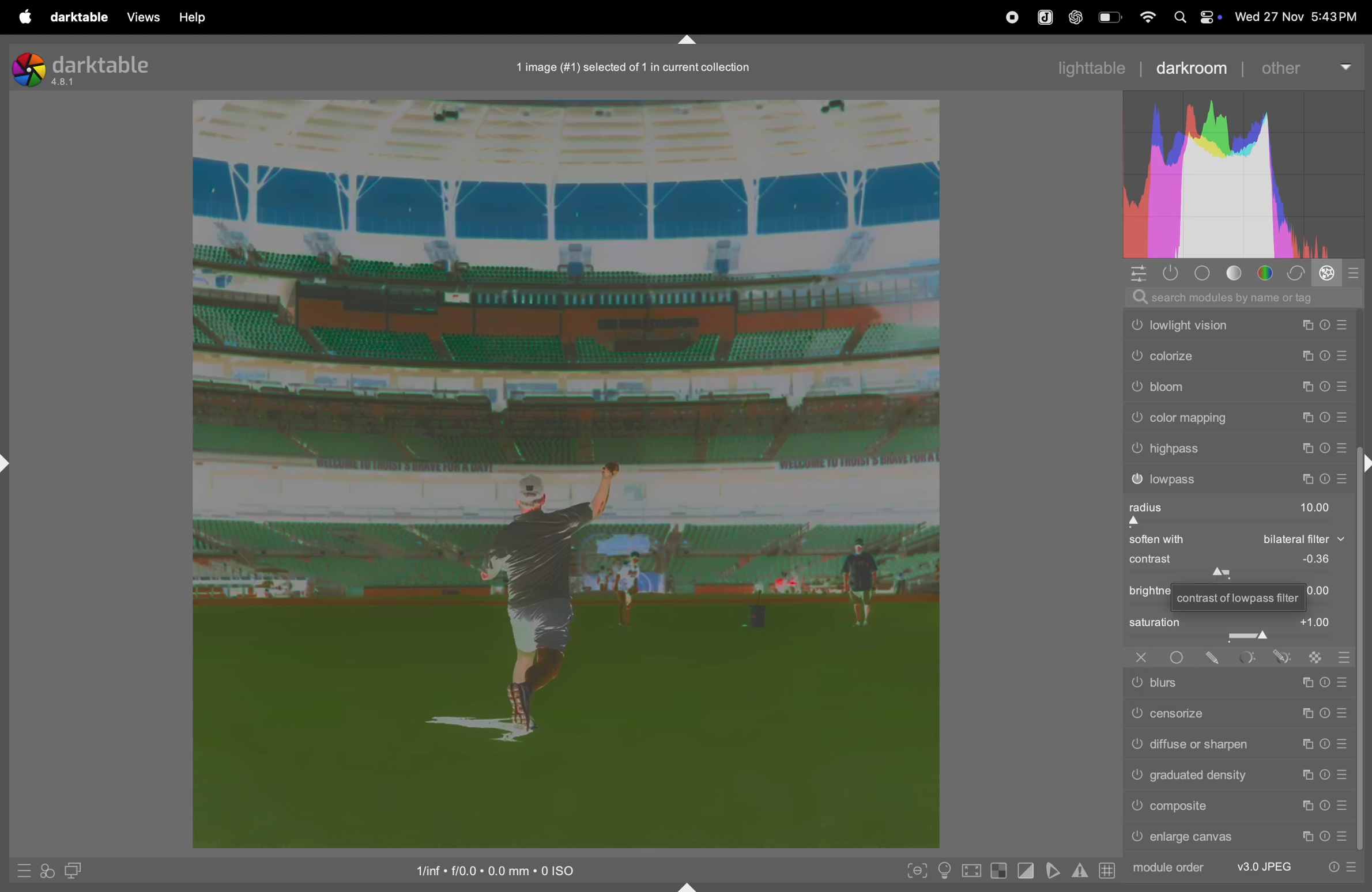  I want to click on raster mask, so click(1314, 660).